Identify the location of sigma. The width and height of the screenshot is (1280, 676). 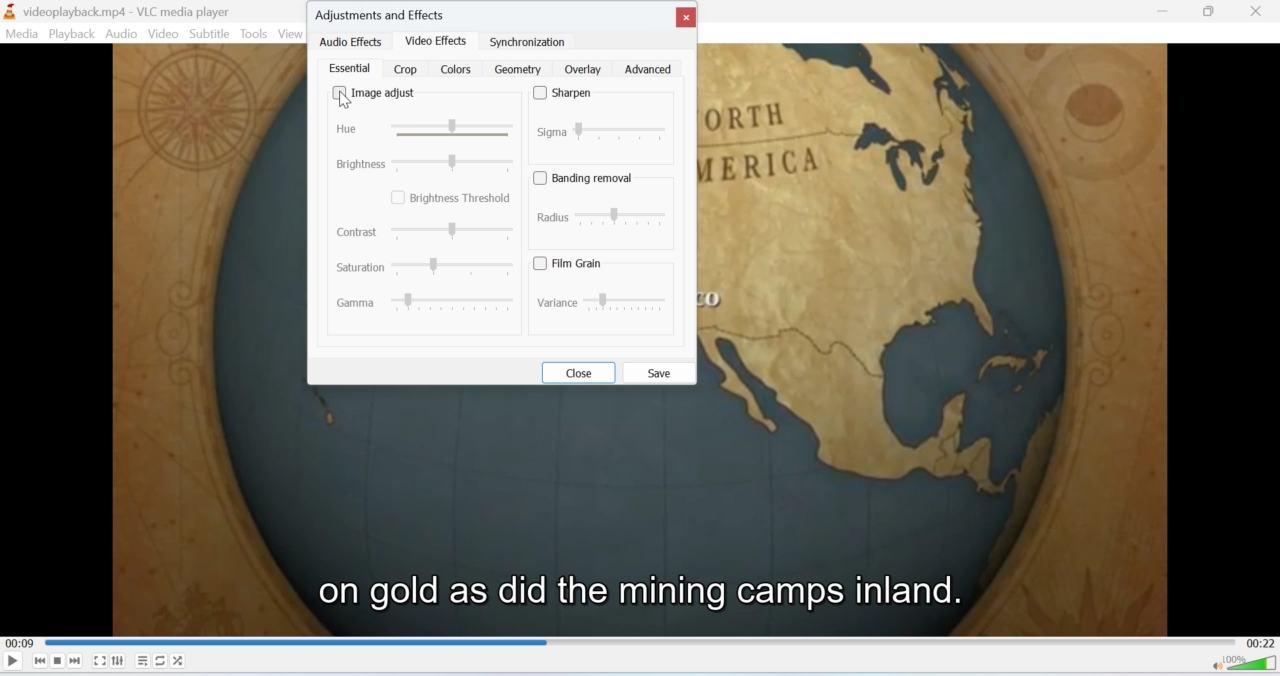
(607, 129).